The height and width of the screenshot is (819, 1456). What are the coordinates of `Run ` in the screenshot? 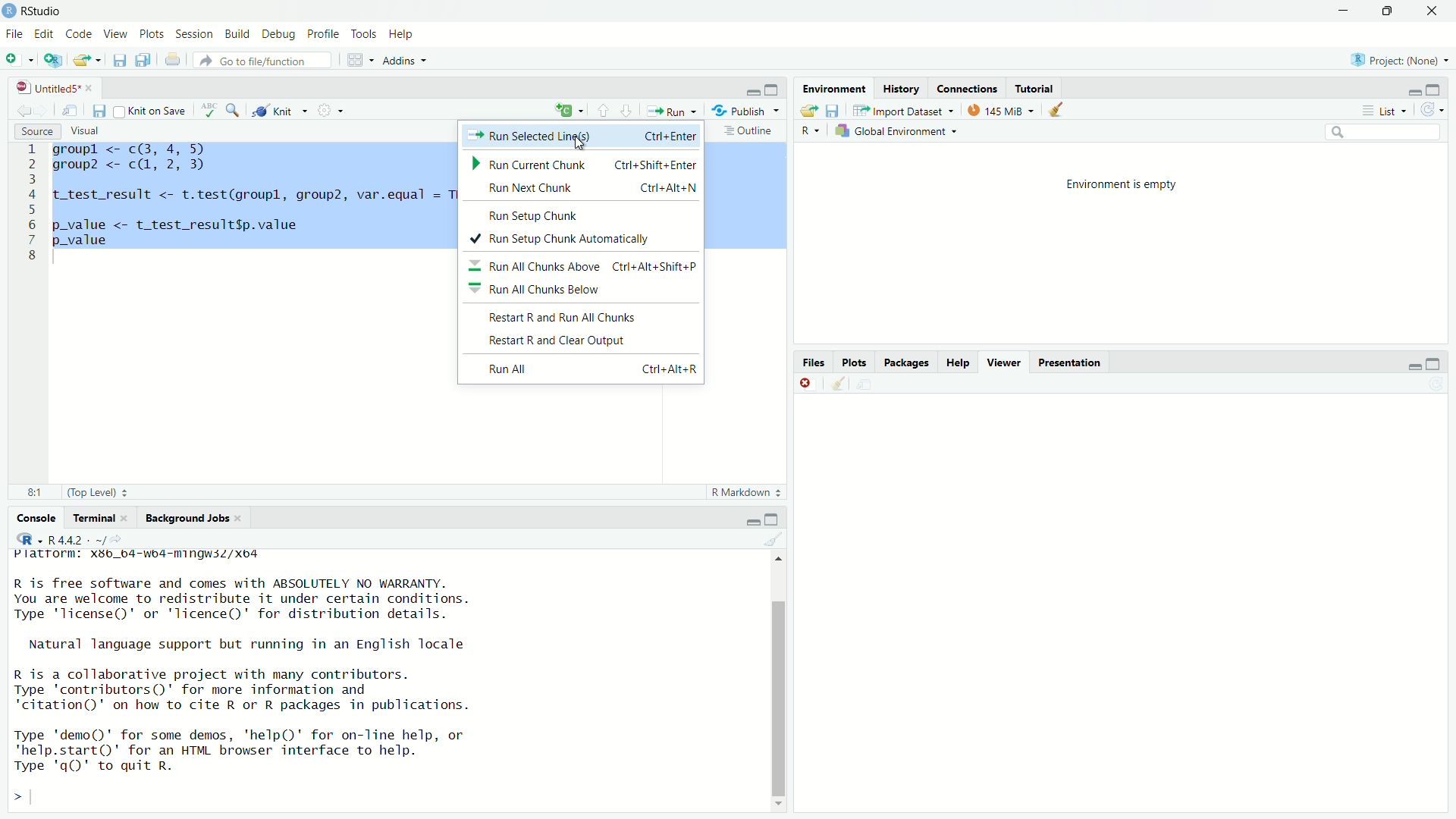 It's located at (668, 109).